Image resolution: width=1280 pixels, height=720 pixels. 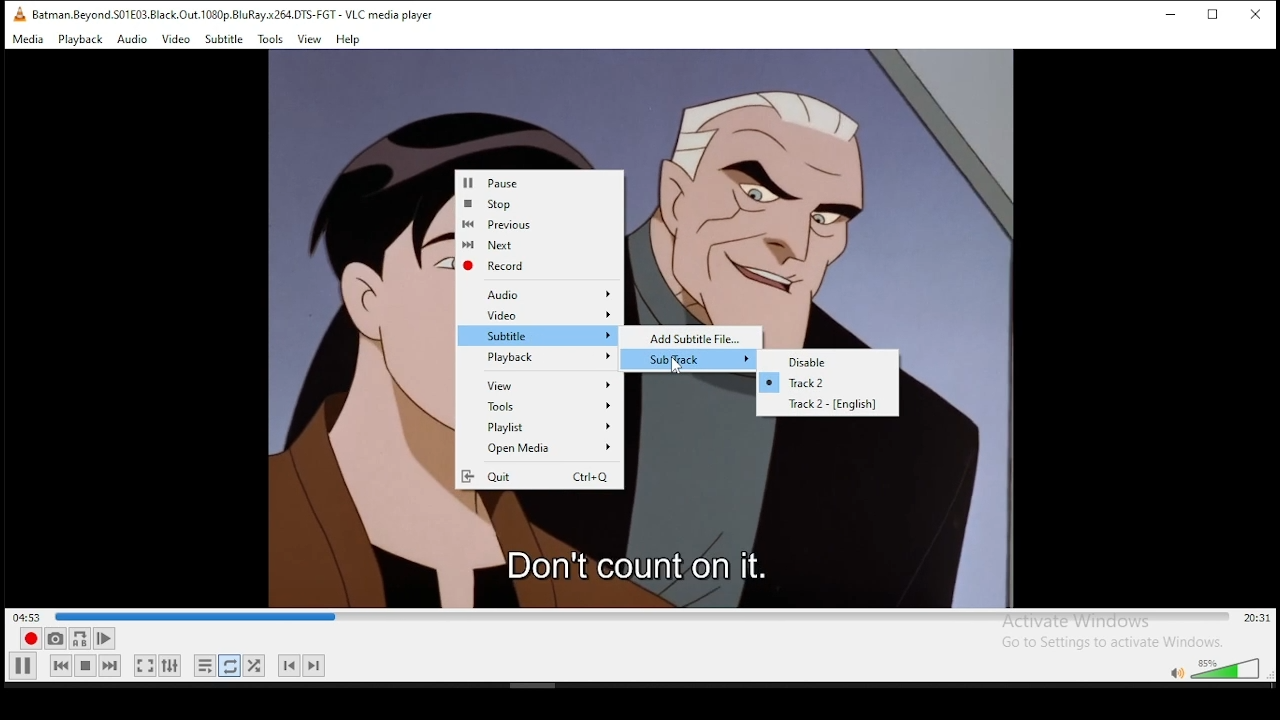 I want to click on Capture Screenshot , so click(x=55, y=638).